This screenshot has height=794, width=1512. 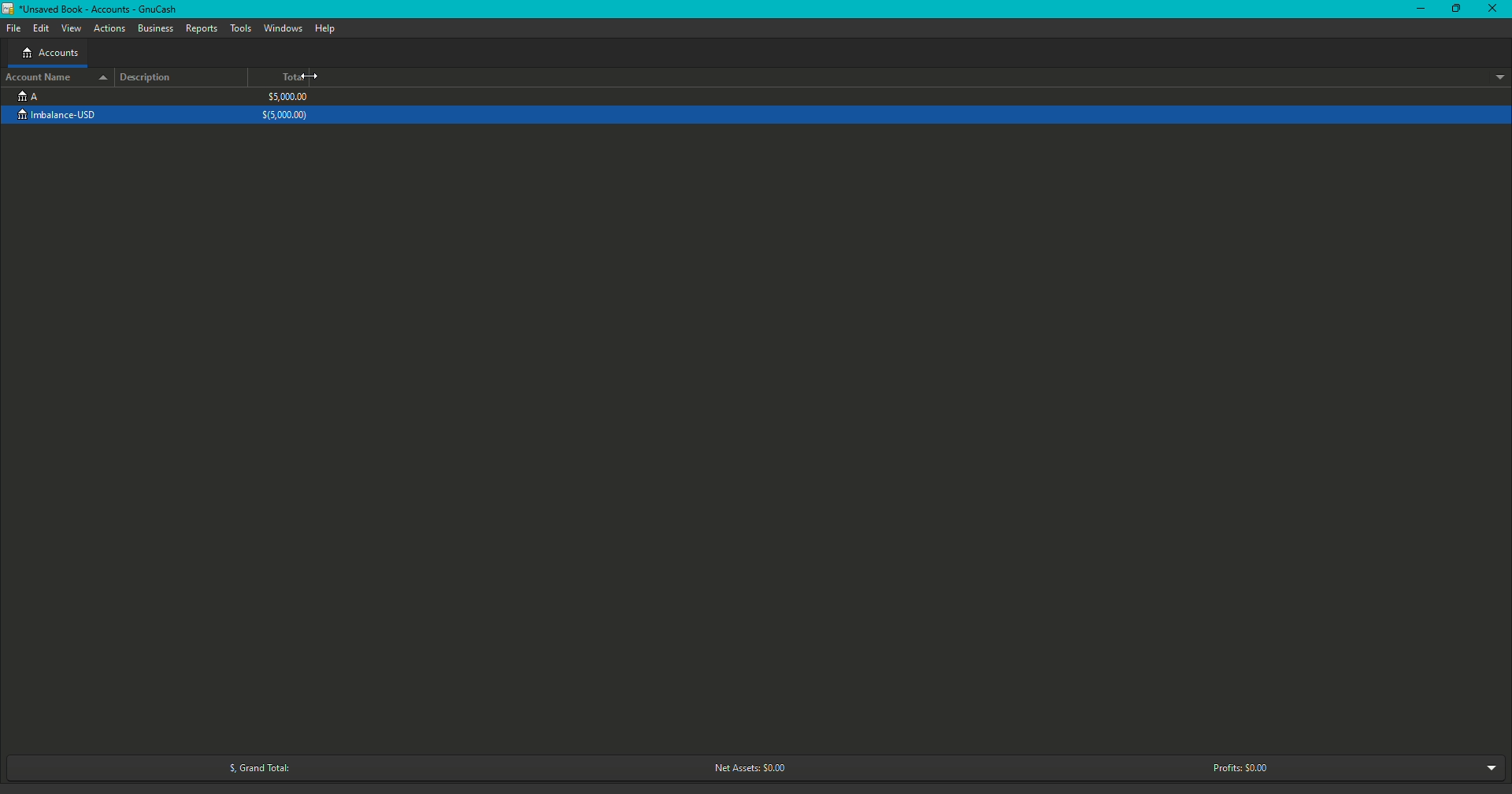 I want to click on Windows, so click(x=283, y=28).